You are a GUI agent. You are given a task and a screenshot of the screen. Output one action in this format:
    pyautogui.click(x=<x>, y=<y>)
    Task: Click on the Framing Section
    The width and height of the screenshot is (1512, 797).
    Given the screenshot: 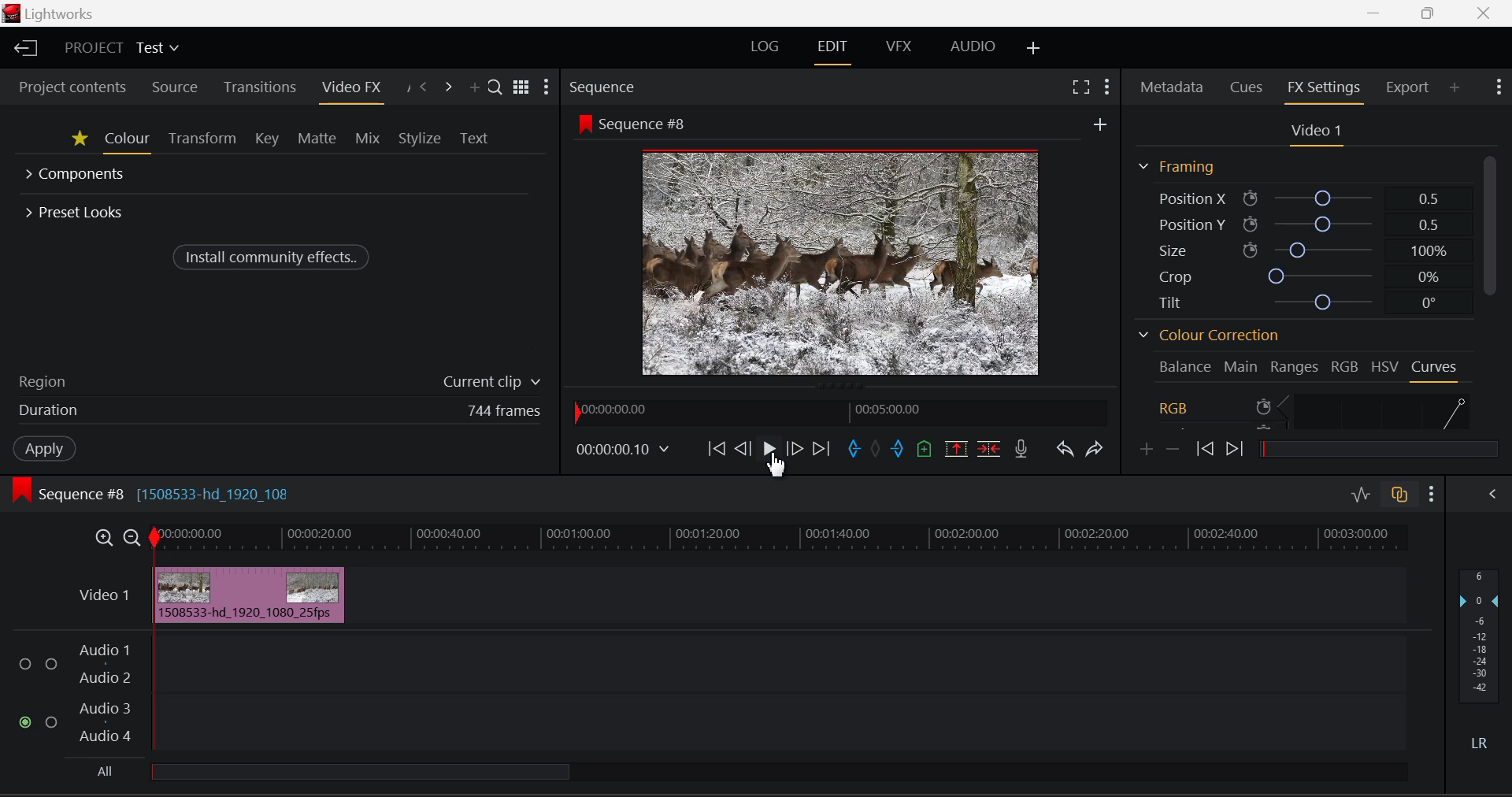 What is the action you would take?
    pyautogui.click(x=1176, y=166)
    